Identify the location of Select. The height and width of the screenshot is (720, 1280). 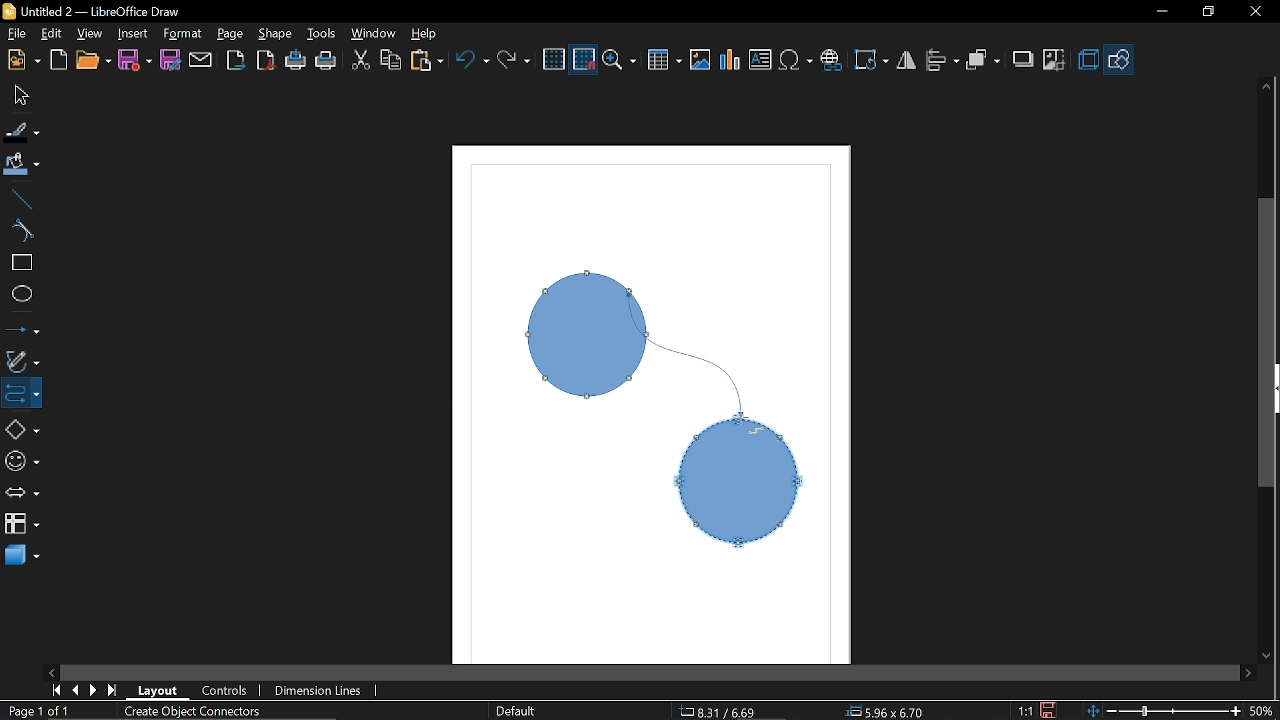
(22, 95).